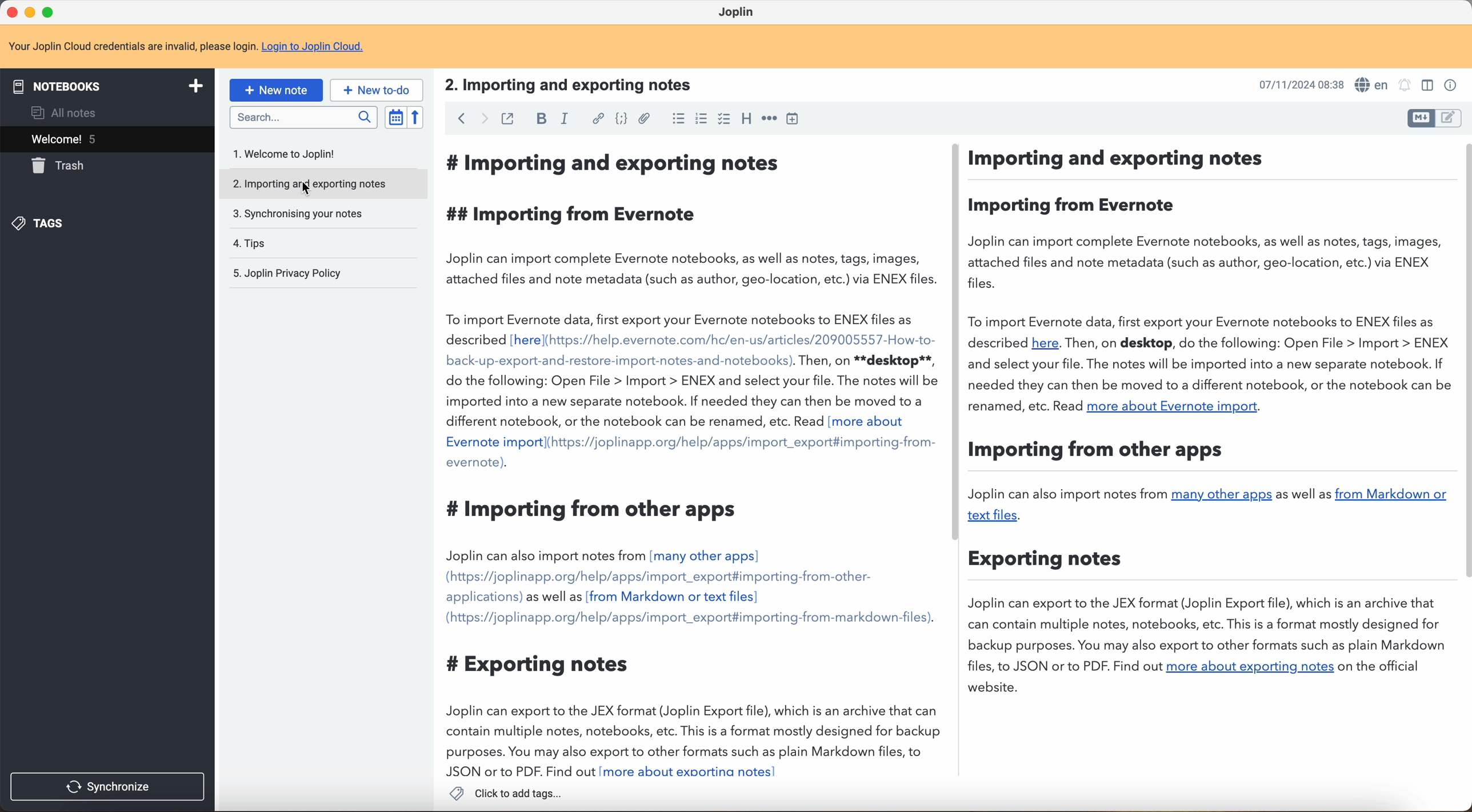 Image resolution: width=1472 pixels, height=812 pixels. What do you see at coordinates (320, 184) in the screenshot?
I see `importing and exporting notes` at bounding box center [320, 184].